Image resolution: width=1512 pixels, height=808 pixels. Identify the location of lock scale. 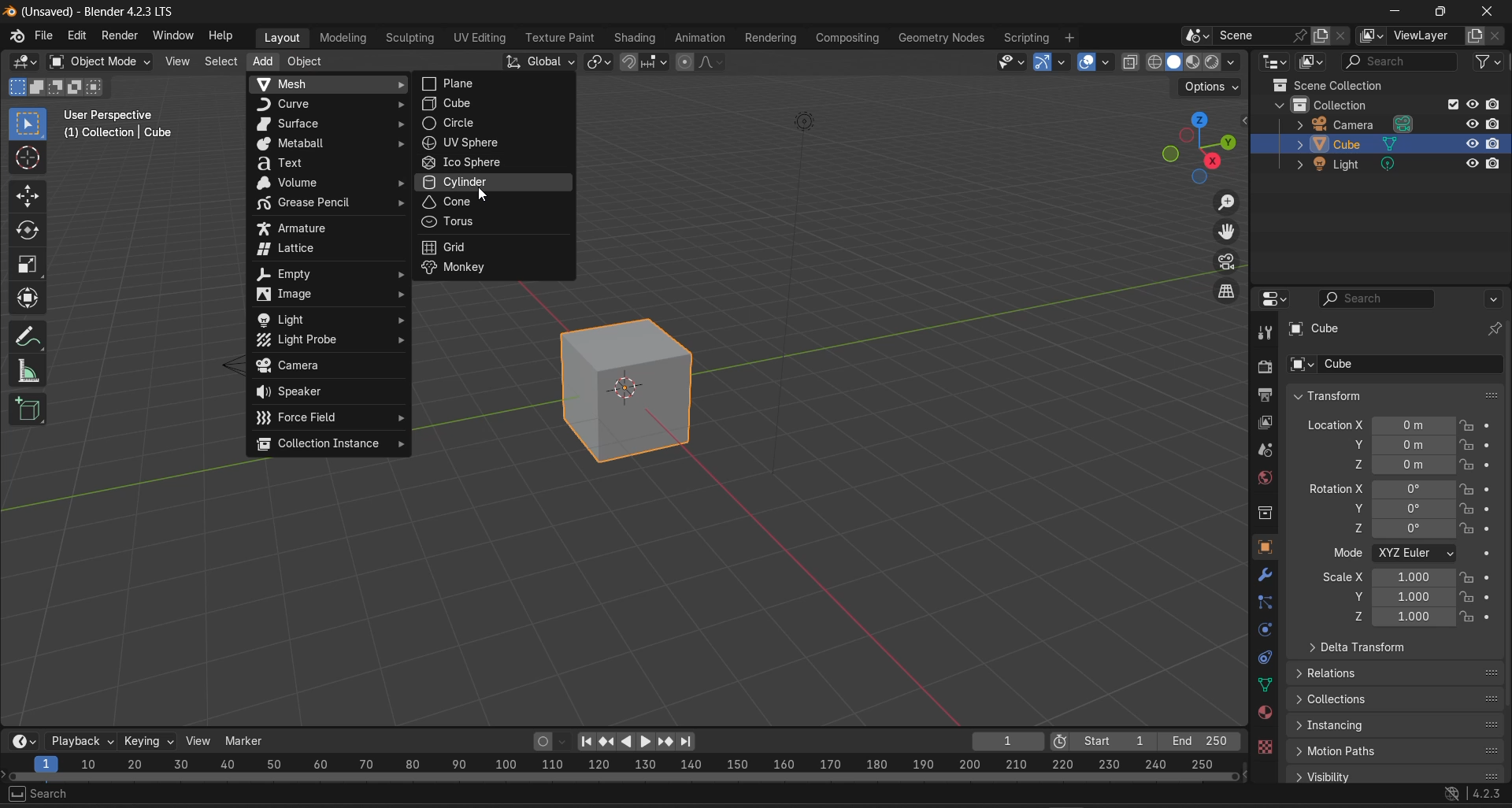
(1468, 617).